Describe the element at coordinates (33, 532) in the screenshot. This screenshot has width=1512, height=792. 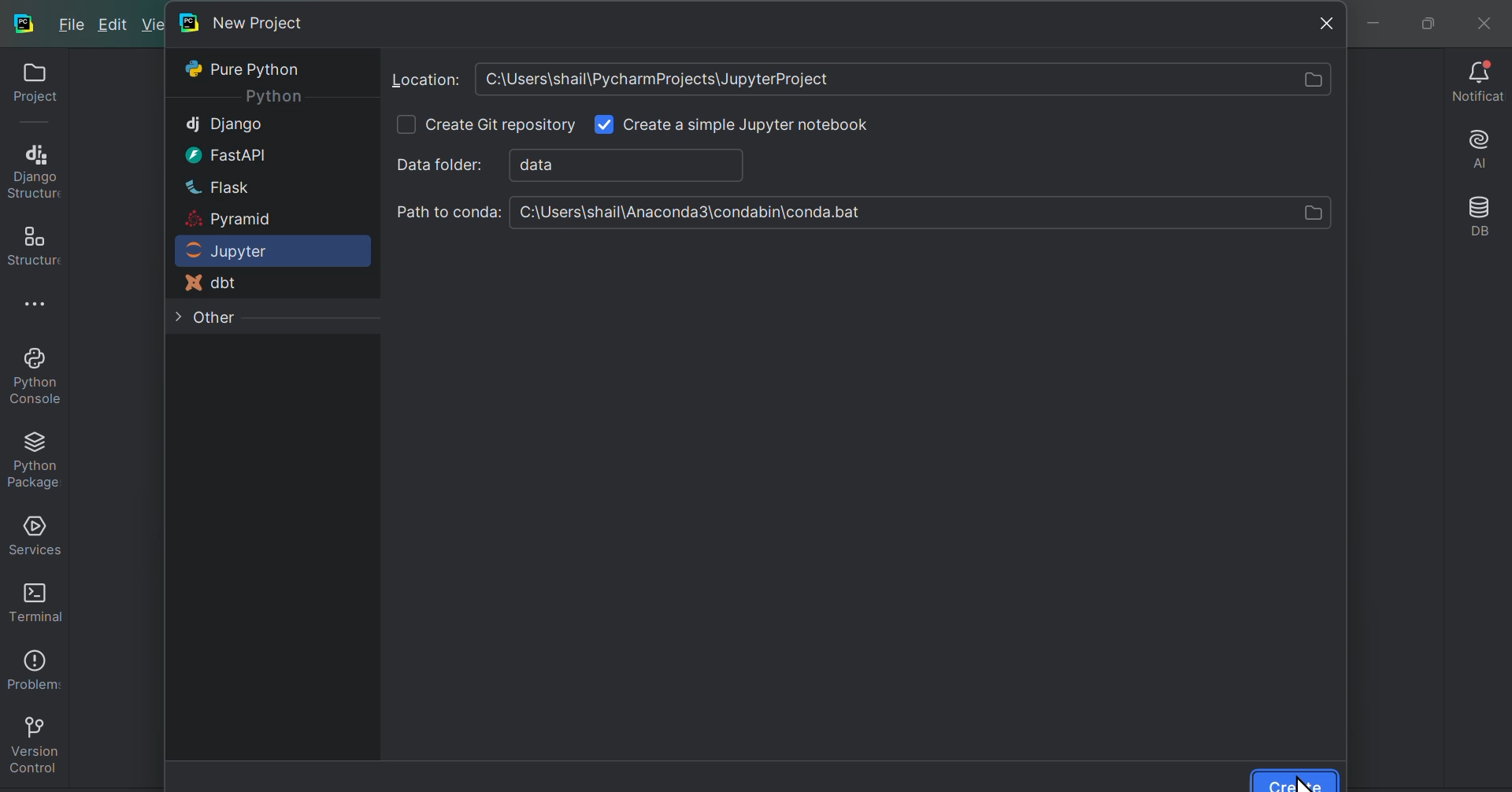
I see `Services` at that location.